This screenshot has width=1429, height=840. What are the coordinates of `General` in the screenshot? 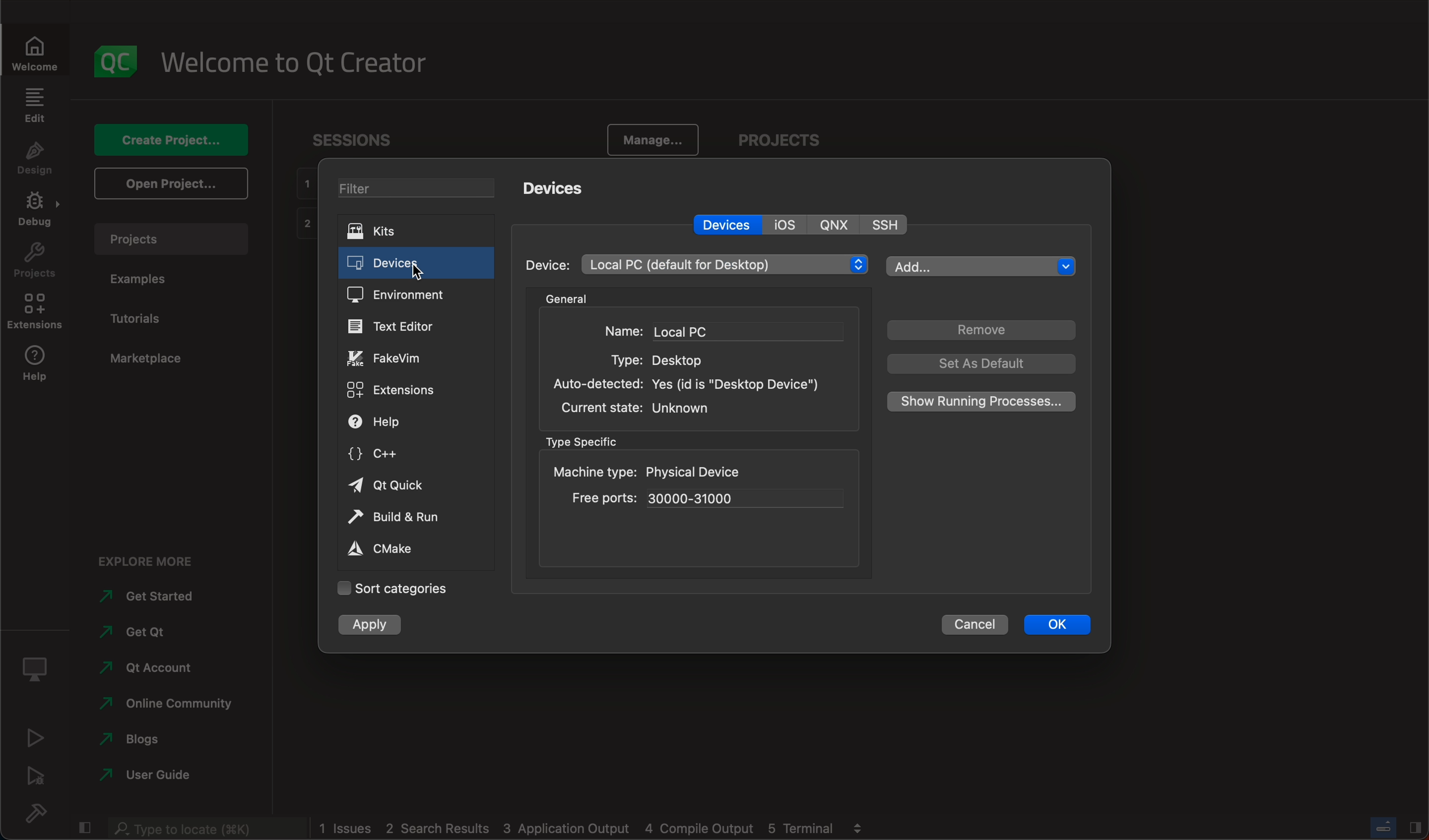 It's located at (568, 298).